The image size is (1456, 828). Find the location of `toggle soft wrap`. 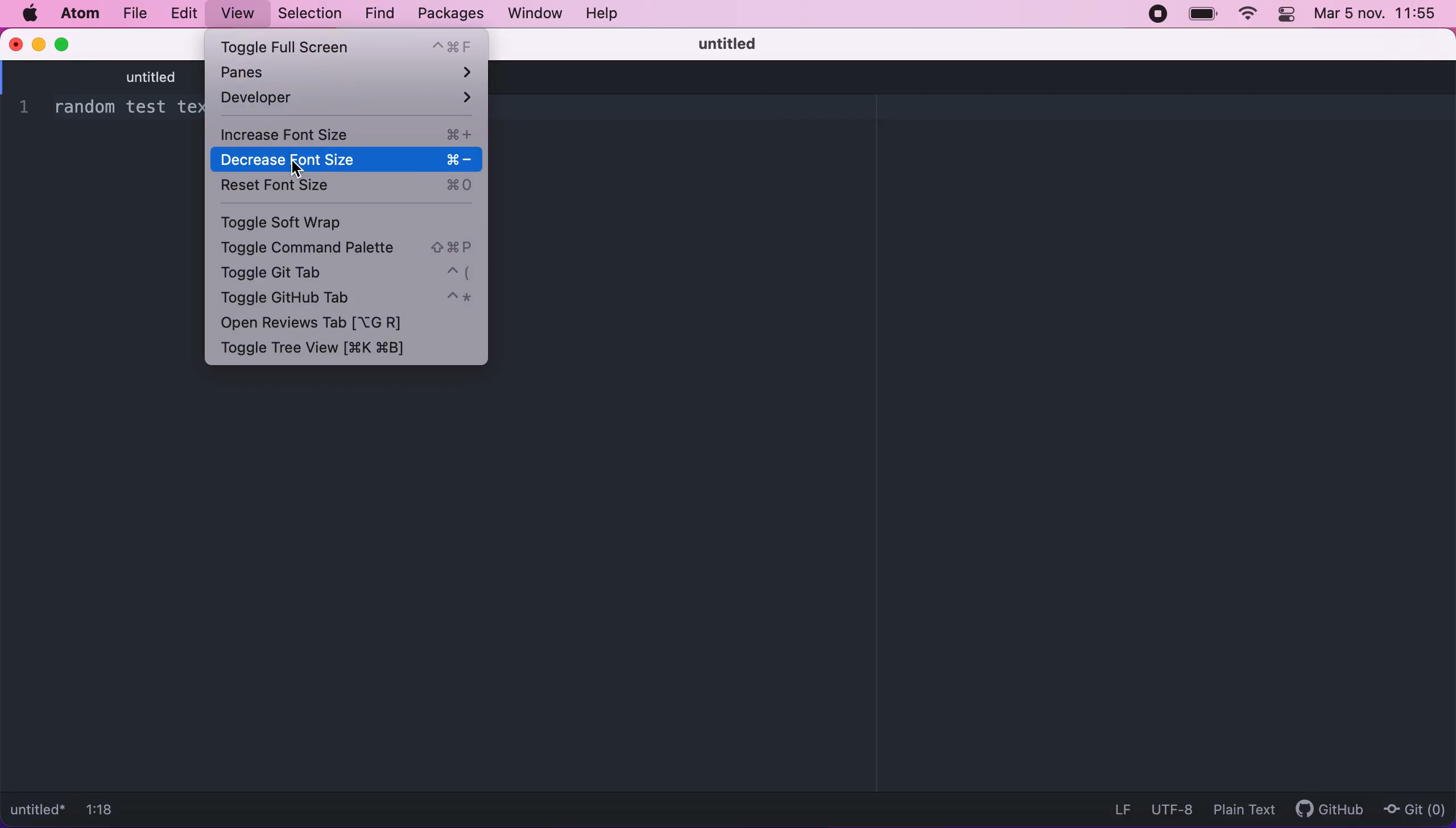

toggle soft wrap is located at coordinates (323, 221).